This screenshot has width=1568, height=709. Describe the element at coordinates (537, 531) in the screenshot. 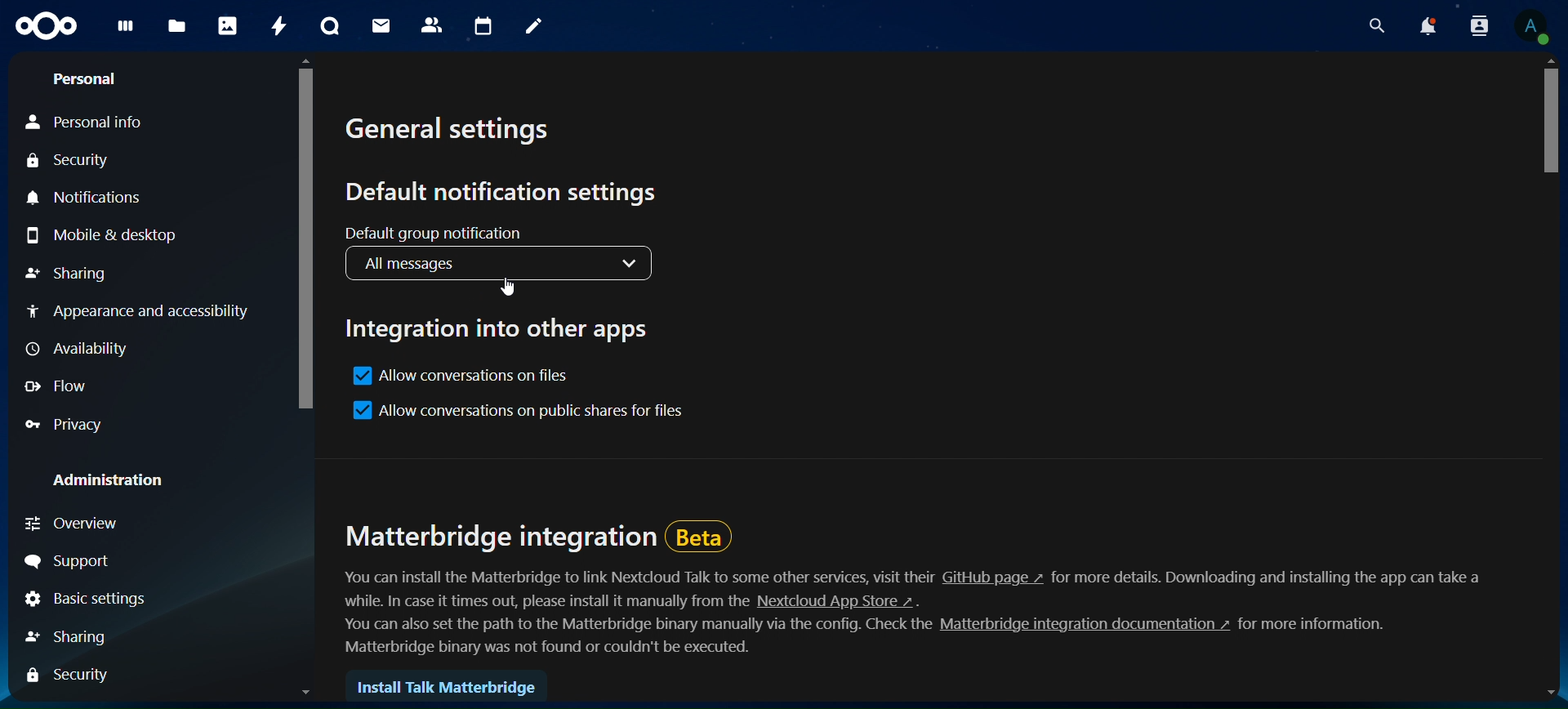

I see `matterbridge integration` at that location.